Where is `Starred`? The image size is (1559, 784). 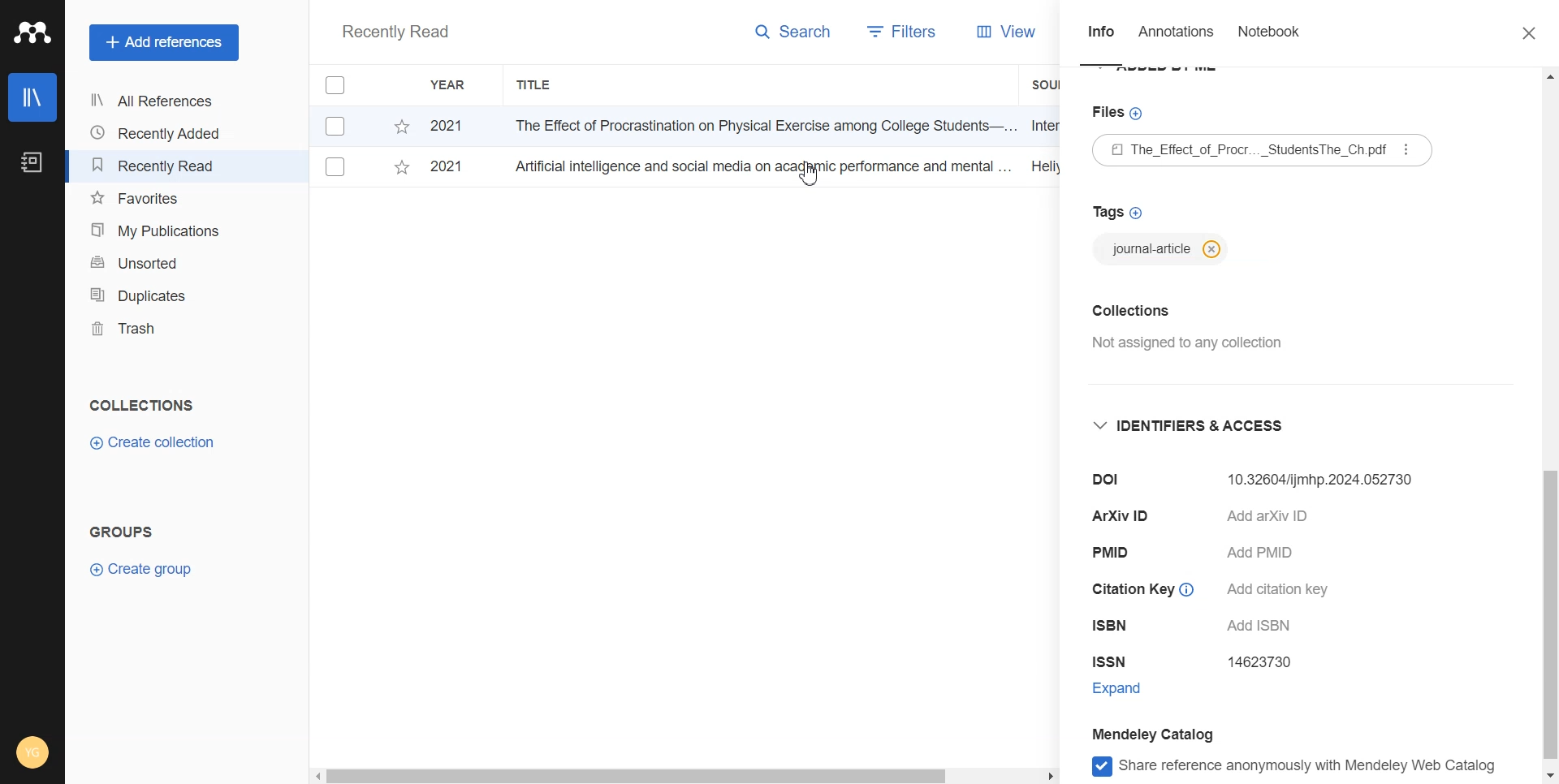
Starred is located at coordinates (401, 170).